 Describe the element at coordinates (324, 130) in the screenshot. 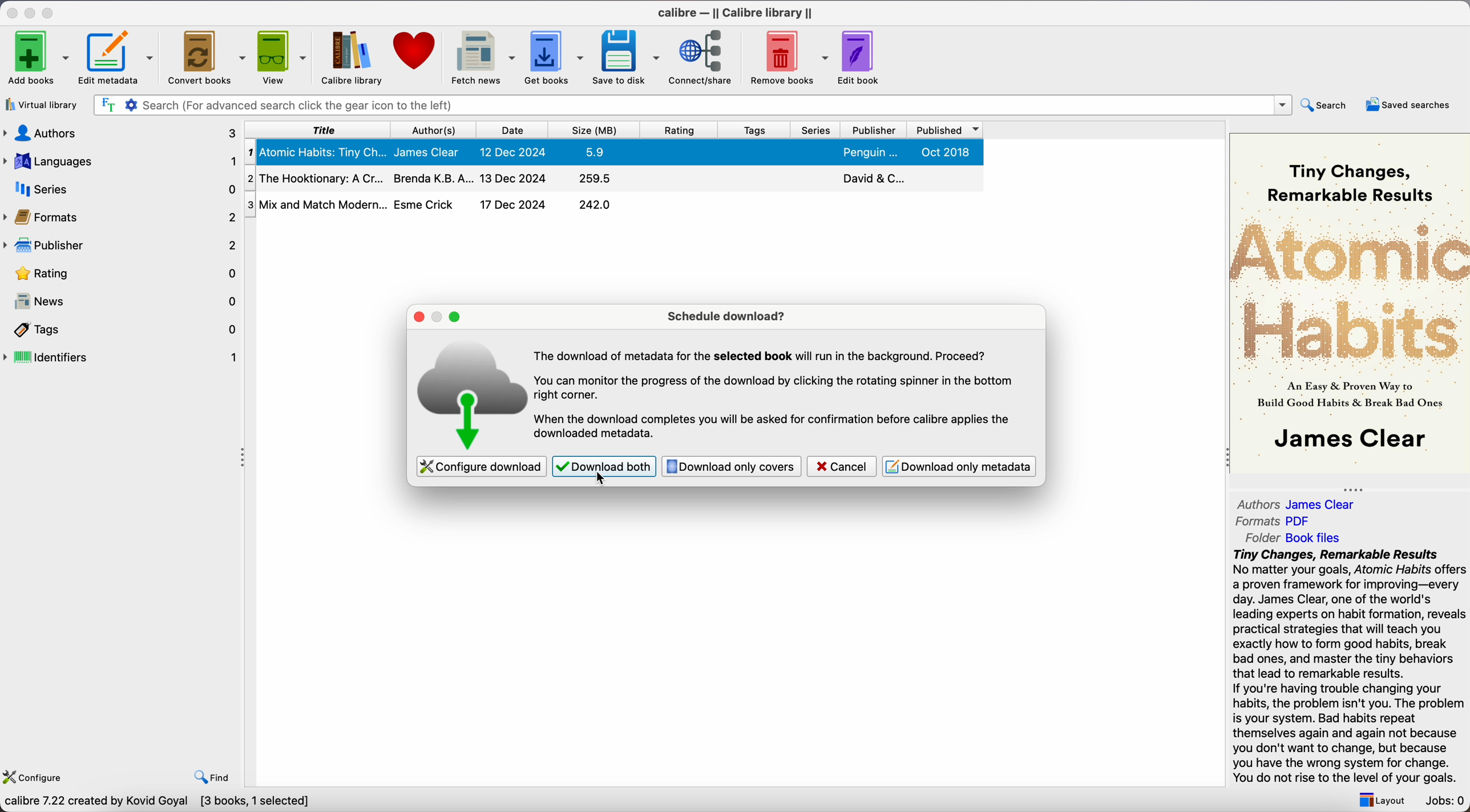

I see `title` at that location.